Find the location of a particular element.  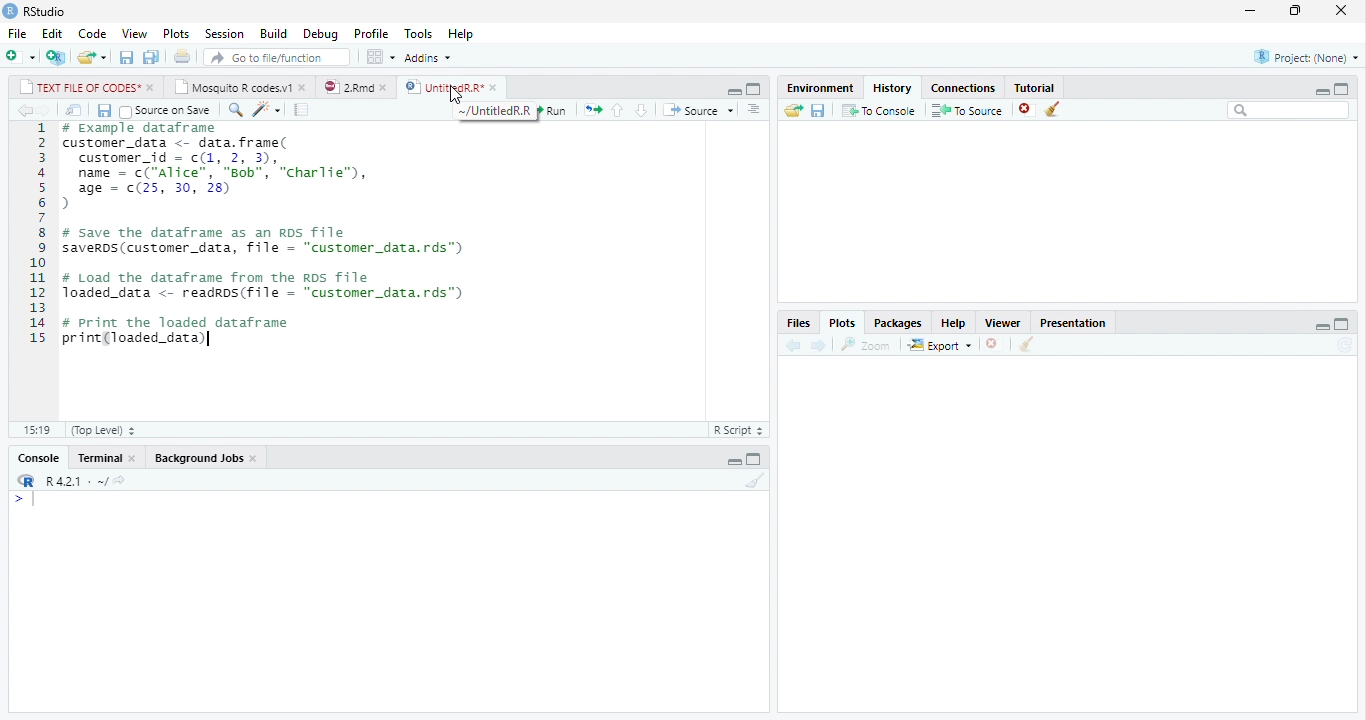

Export is located at coordinates (939, 345).